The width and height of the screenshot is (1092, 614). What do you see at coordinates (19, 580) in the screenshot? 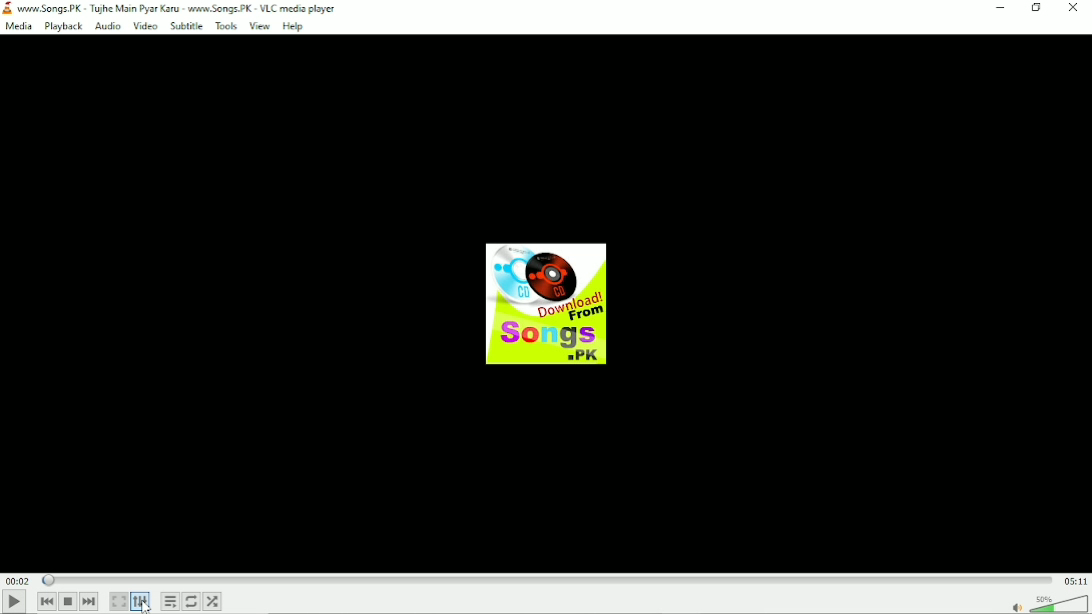
I see `Elapsed time` at bounding box center [19, 580].